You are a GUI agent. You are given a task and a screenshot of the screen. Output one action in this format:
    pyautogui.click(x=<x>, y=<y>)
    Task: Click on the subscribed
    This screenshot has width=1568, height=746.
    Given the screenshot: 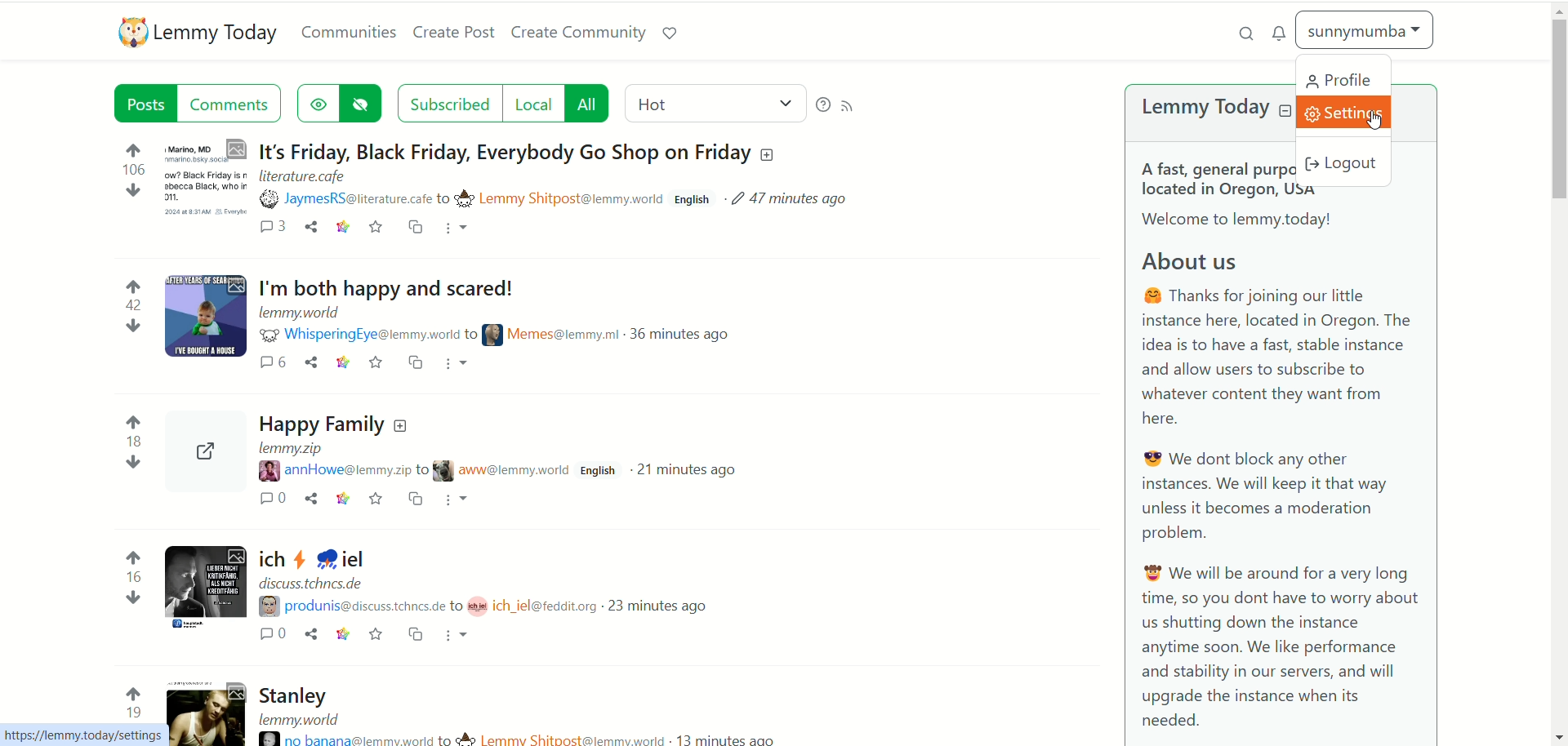 What is the action you would take?
    pyautogui.click(x=449, y=103)
    